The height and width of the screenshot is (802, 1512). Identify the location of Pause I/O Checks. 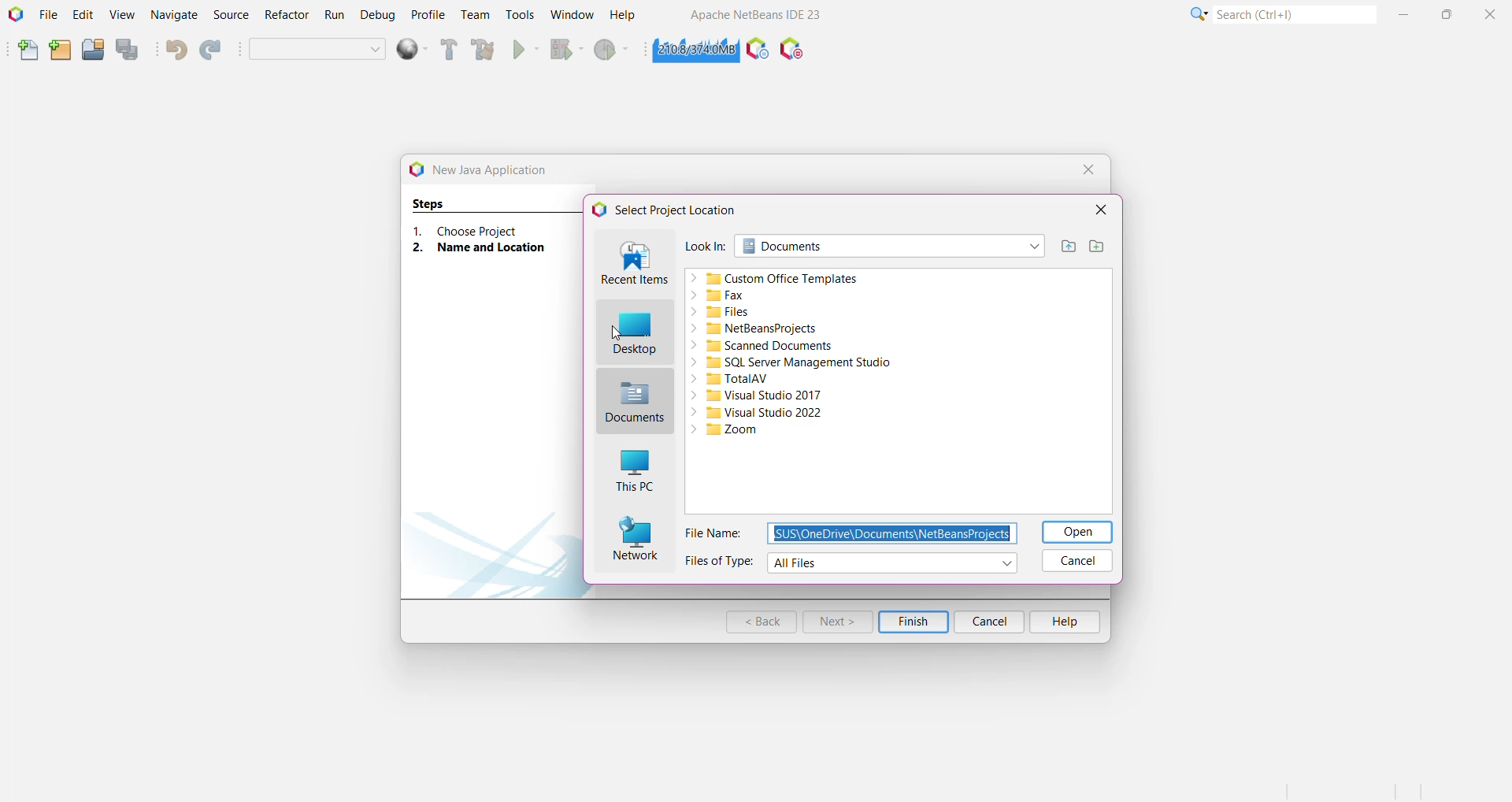
(793, 51).